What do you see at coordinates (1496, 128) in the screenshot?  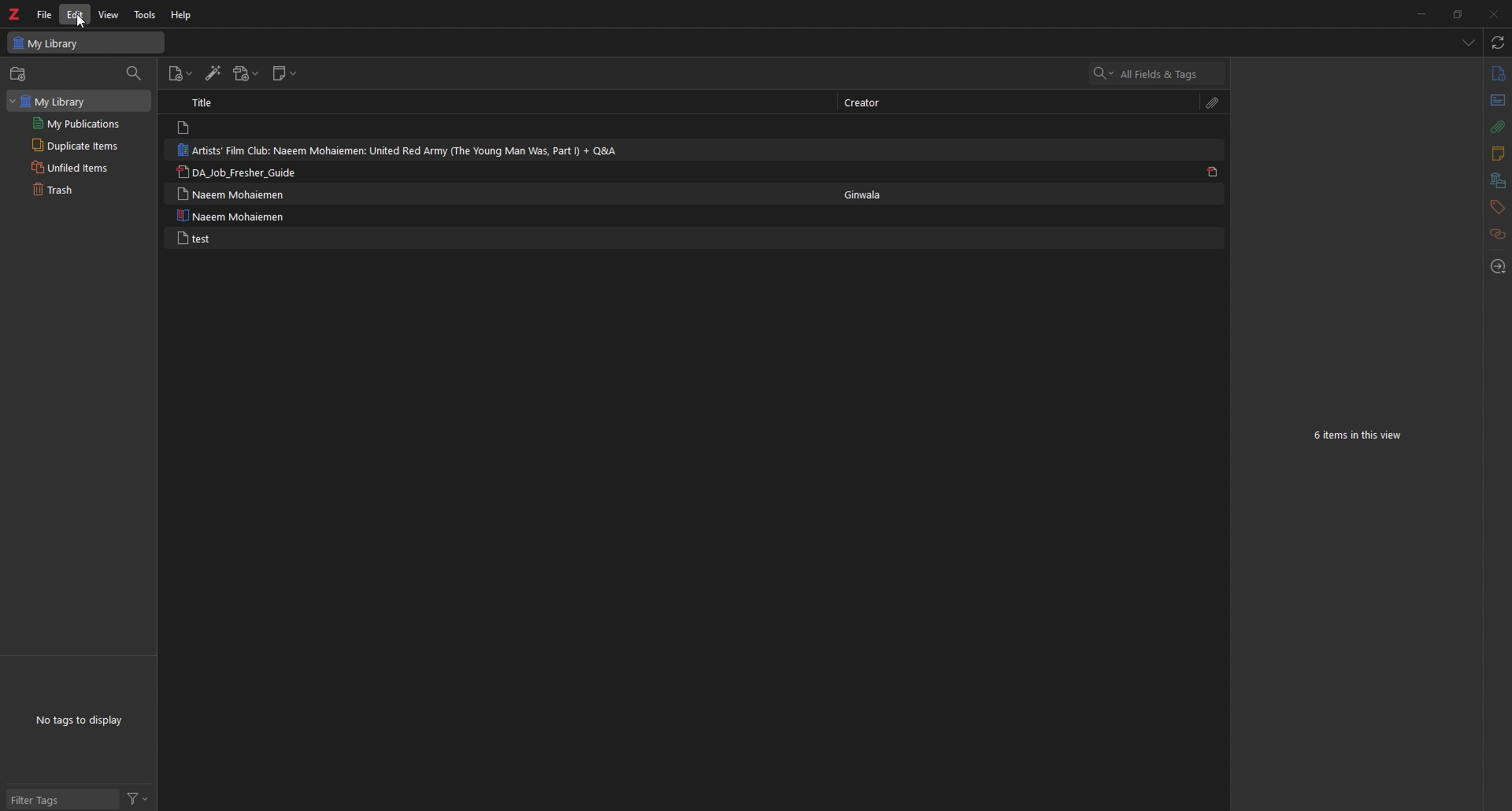 I see `attachment` at bounding box center [1496, 128].